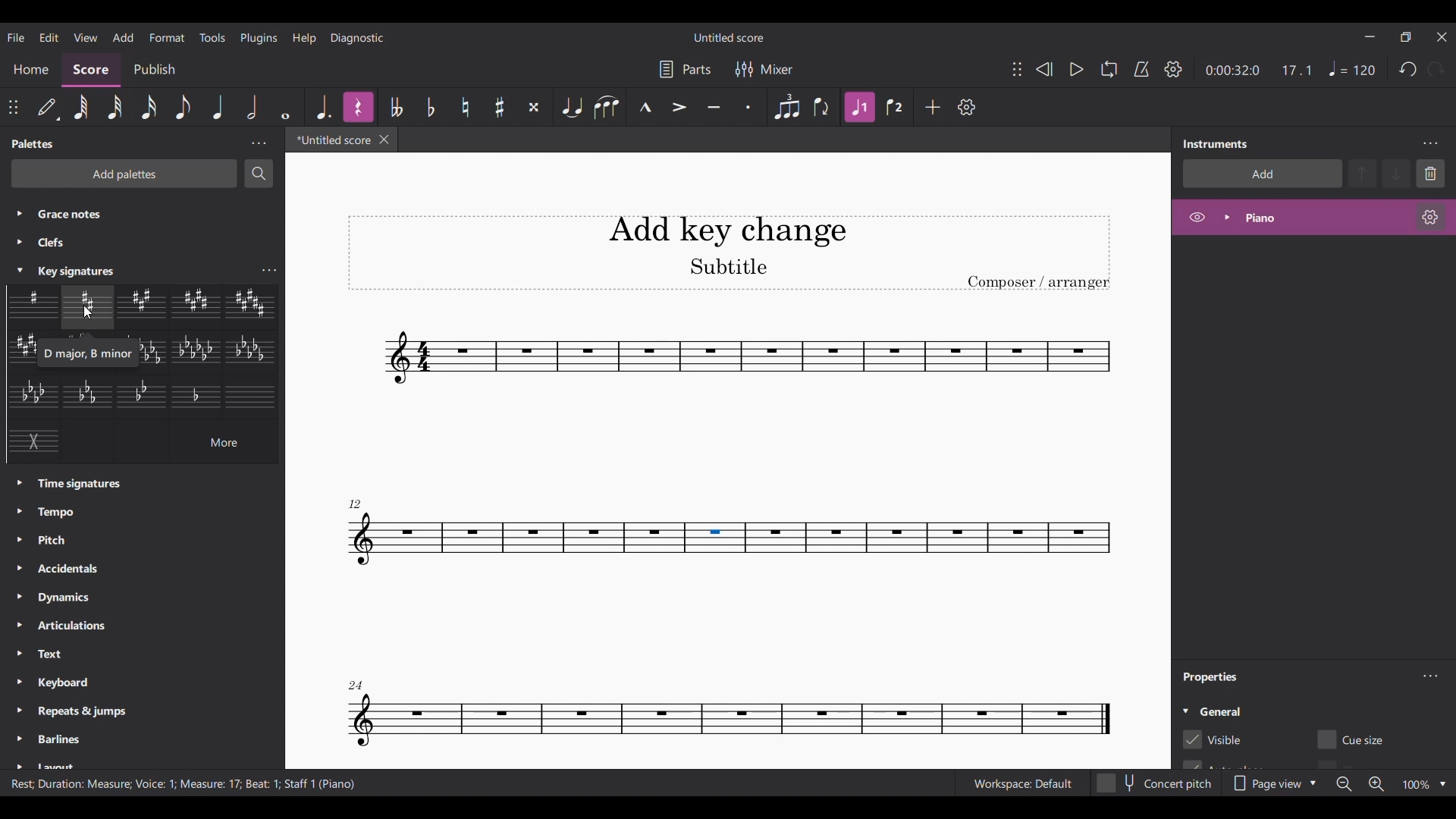  What do you see at coordinates (606, 106) in the screenshot?
I see `Slur` at bounding box center [606, 106].